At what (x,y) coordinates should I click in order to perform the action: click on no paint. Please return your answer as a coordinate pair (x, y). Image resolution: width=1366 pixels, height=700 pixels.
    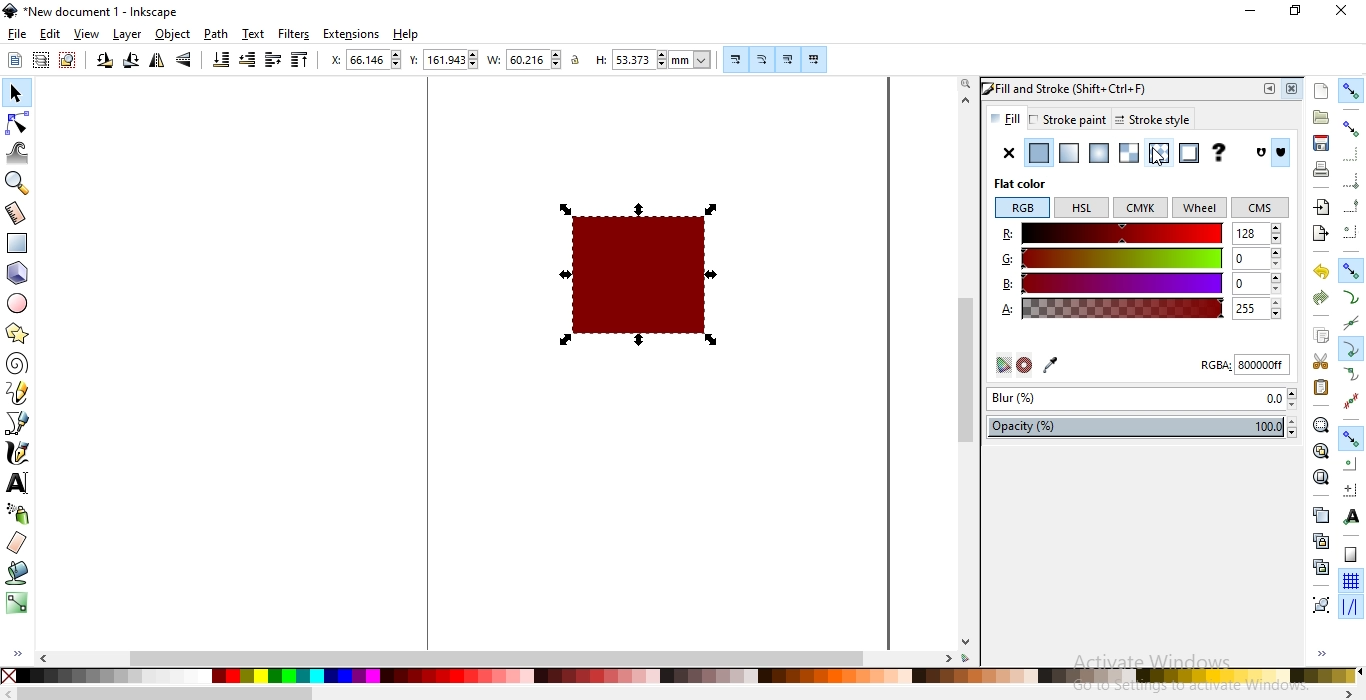
    Looking at the image, I should click on (1009, 153).